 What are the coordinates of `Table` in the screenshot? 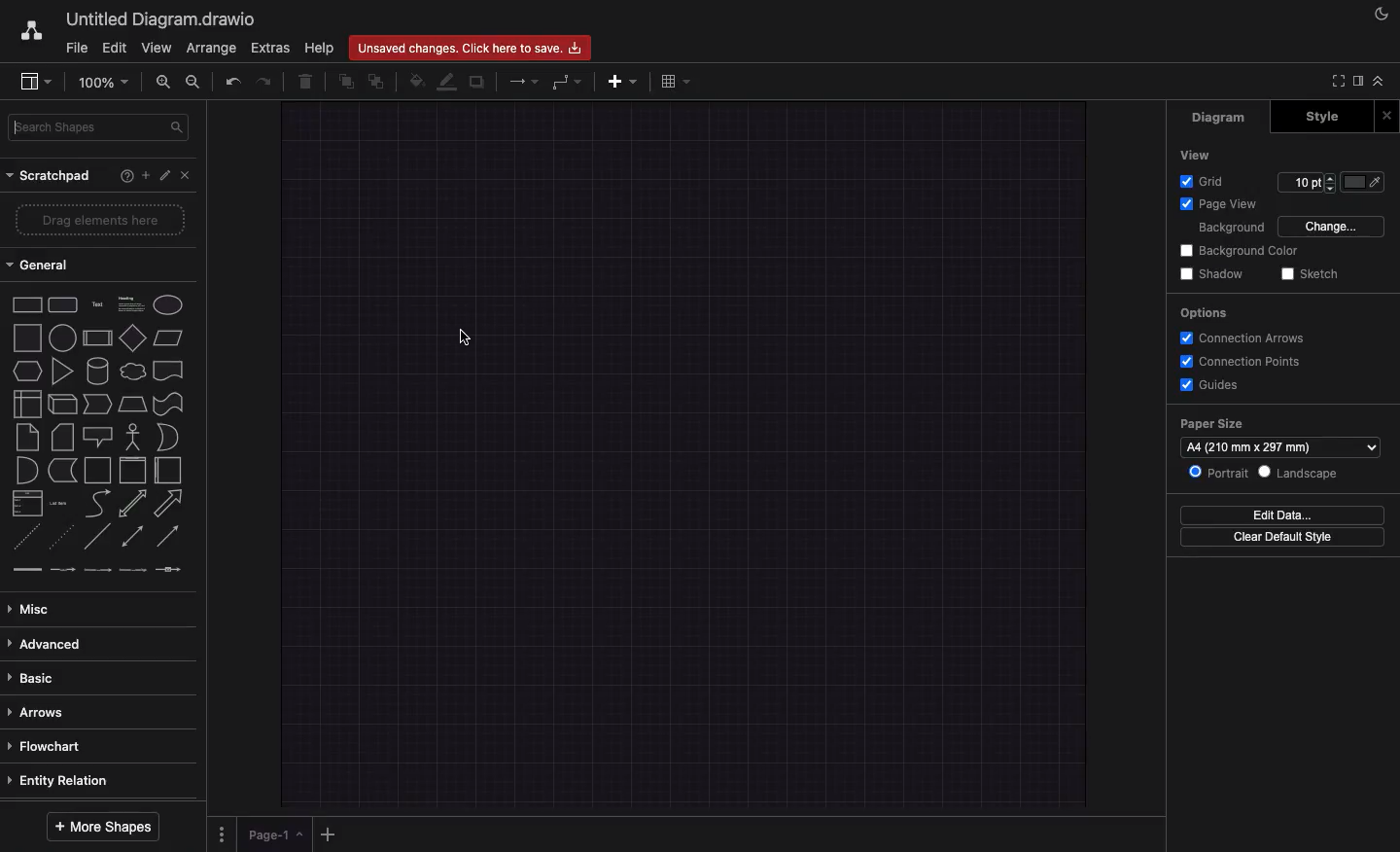 It's located at (675, 83).